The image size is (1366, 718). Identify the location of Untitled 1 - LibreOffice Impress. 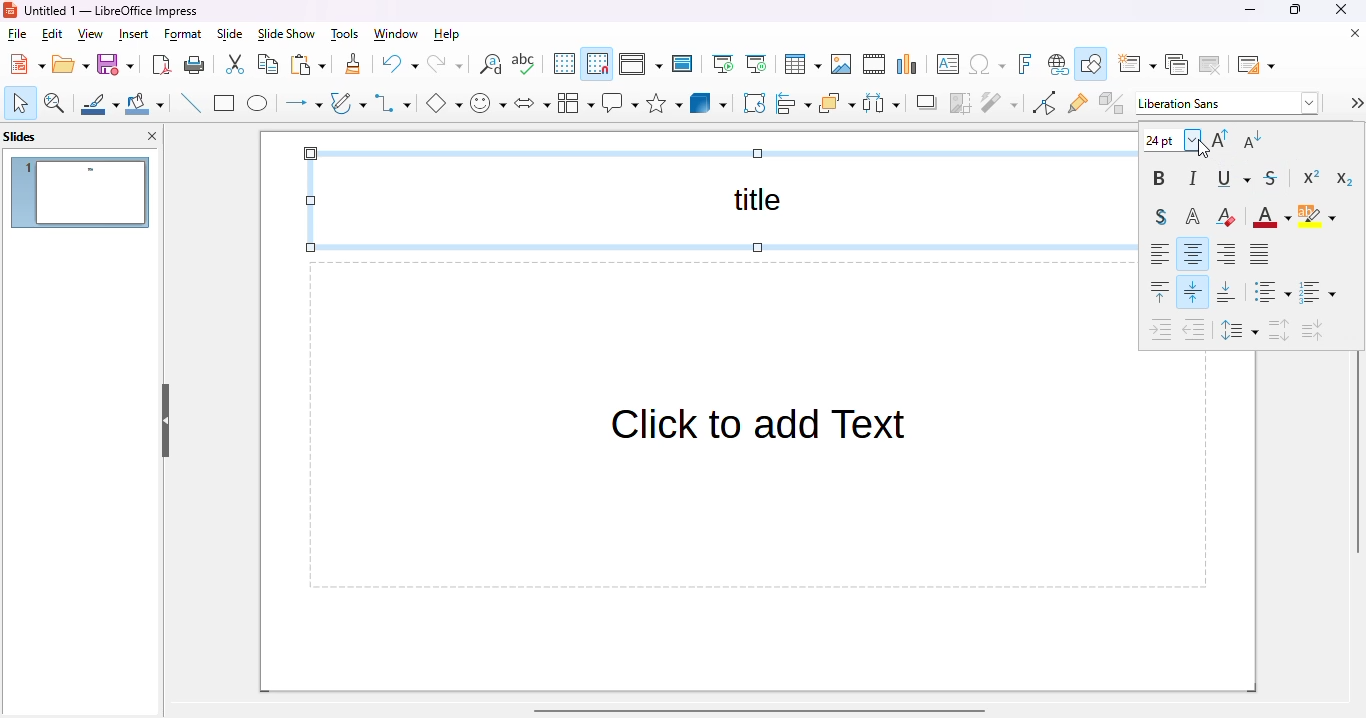
(112, 10).